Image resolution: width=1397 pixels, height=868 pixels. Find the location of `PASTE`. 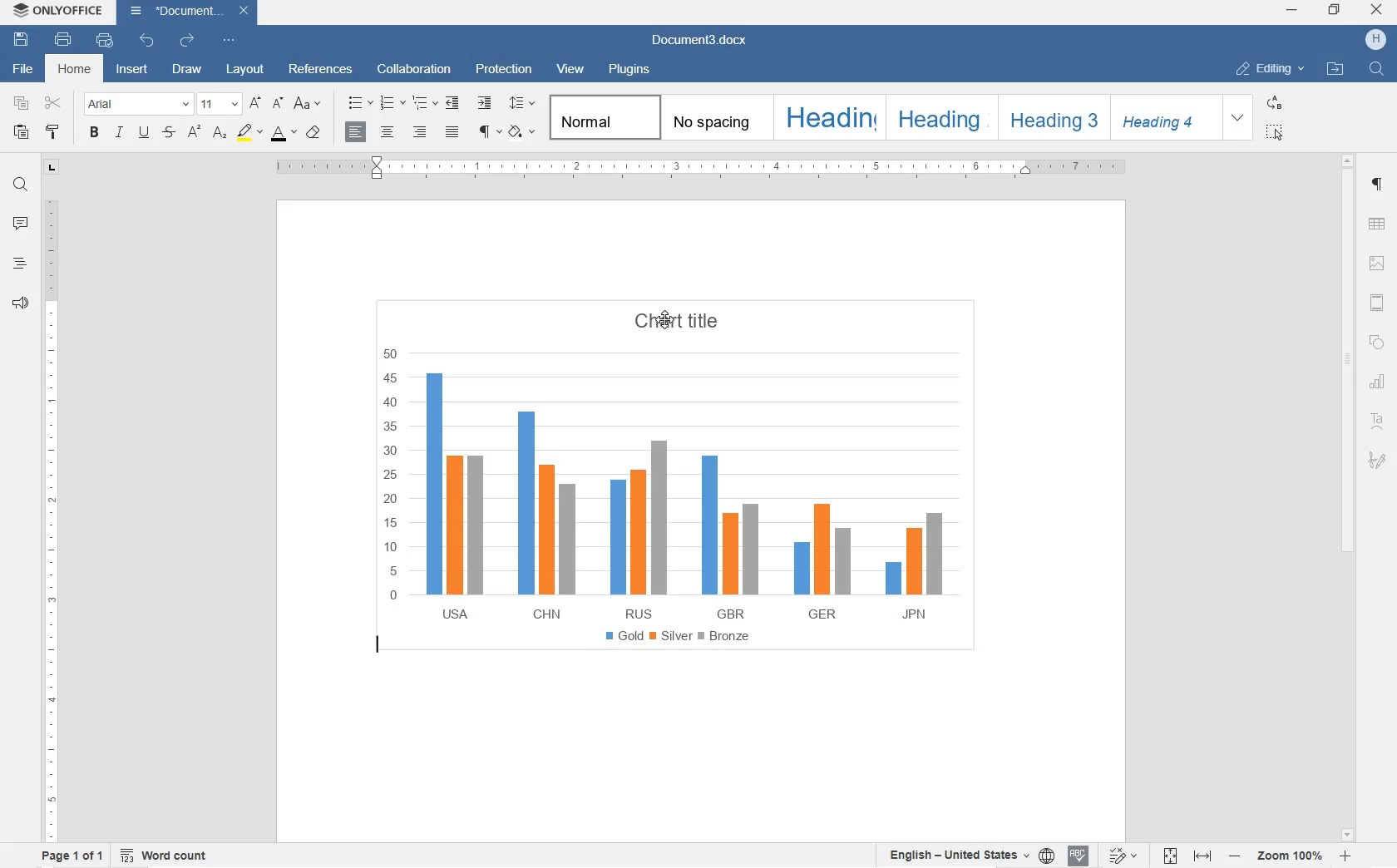

PASTE is located at coordinates (21, 132).